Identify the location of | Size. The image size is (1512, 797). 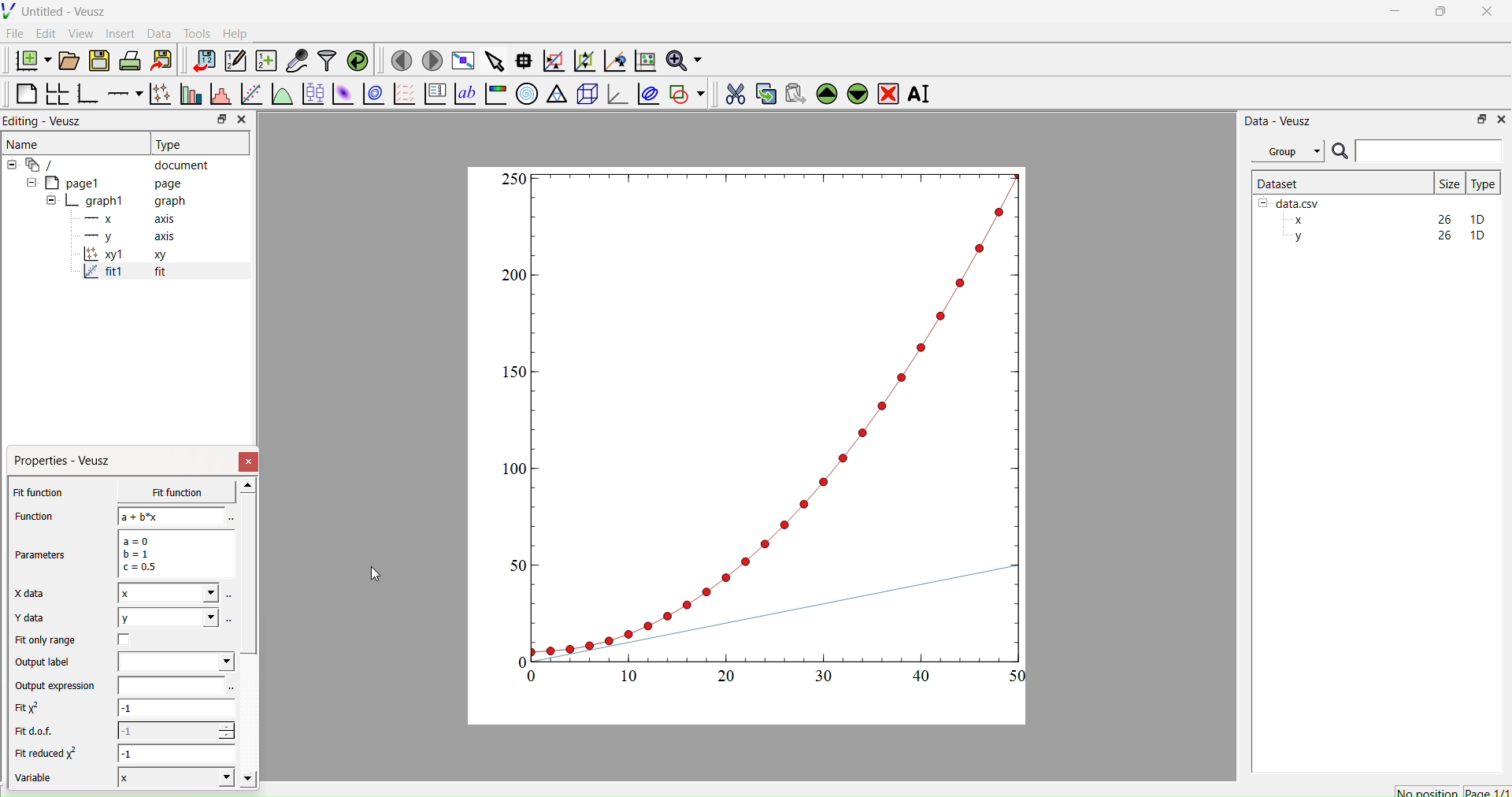
(1449, 182).